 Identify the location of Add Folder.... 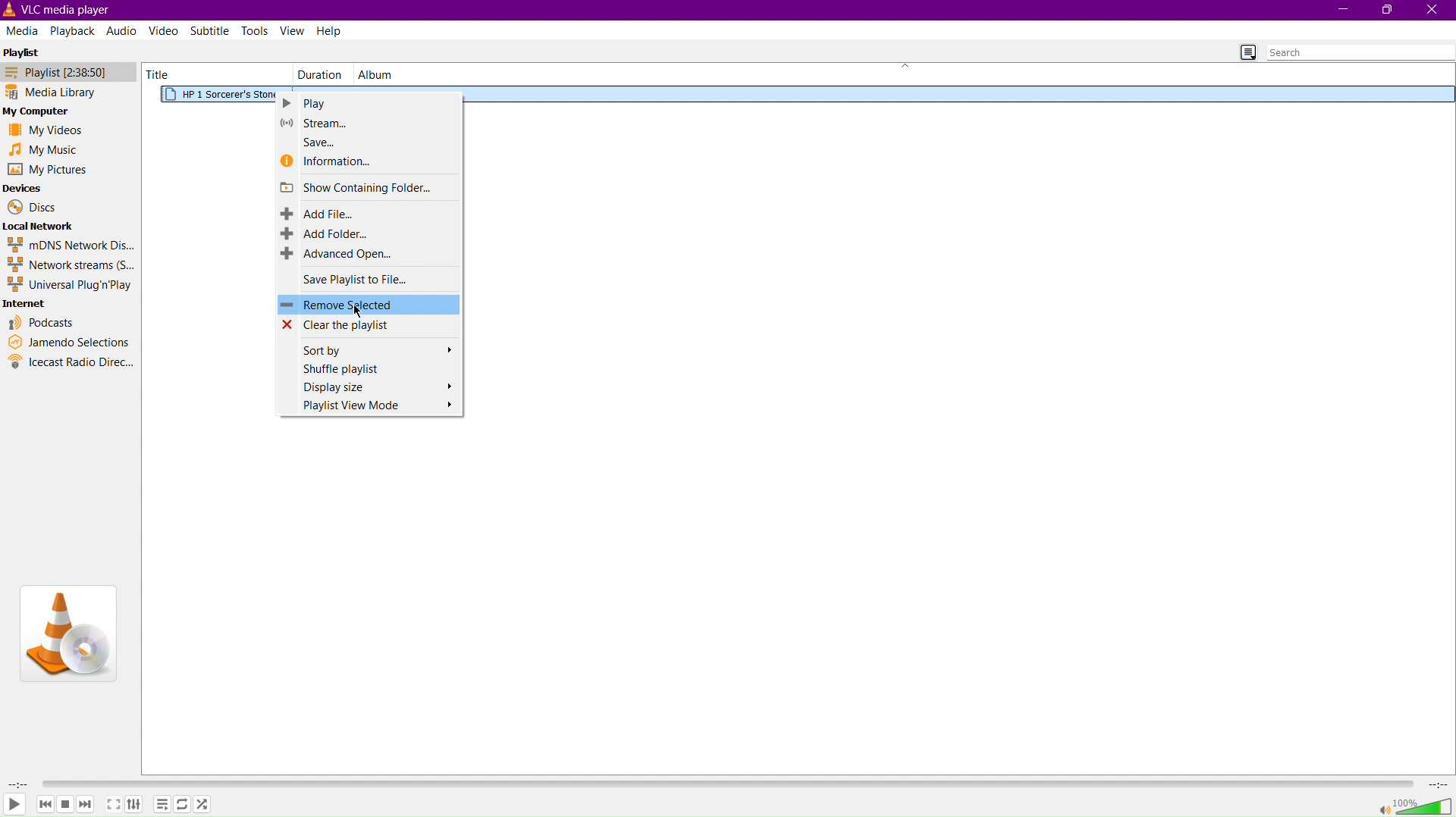
(369, 233).